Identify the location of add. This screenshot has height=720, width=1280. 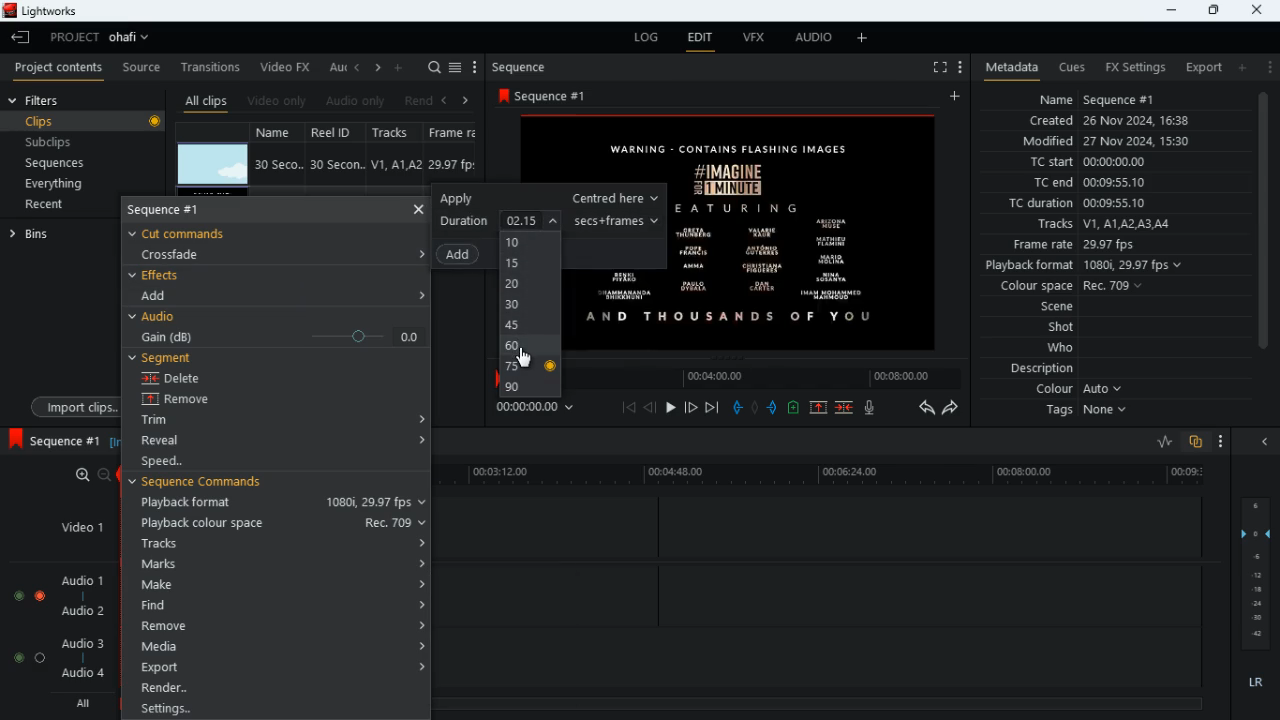
(1241, 67).